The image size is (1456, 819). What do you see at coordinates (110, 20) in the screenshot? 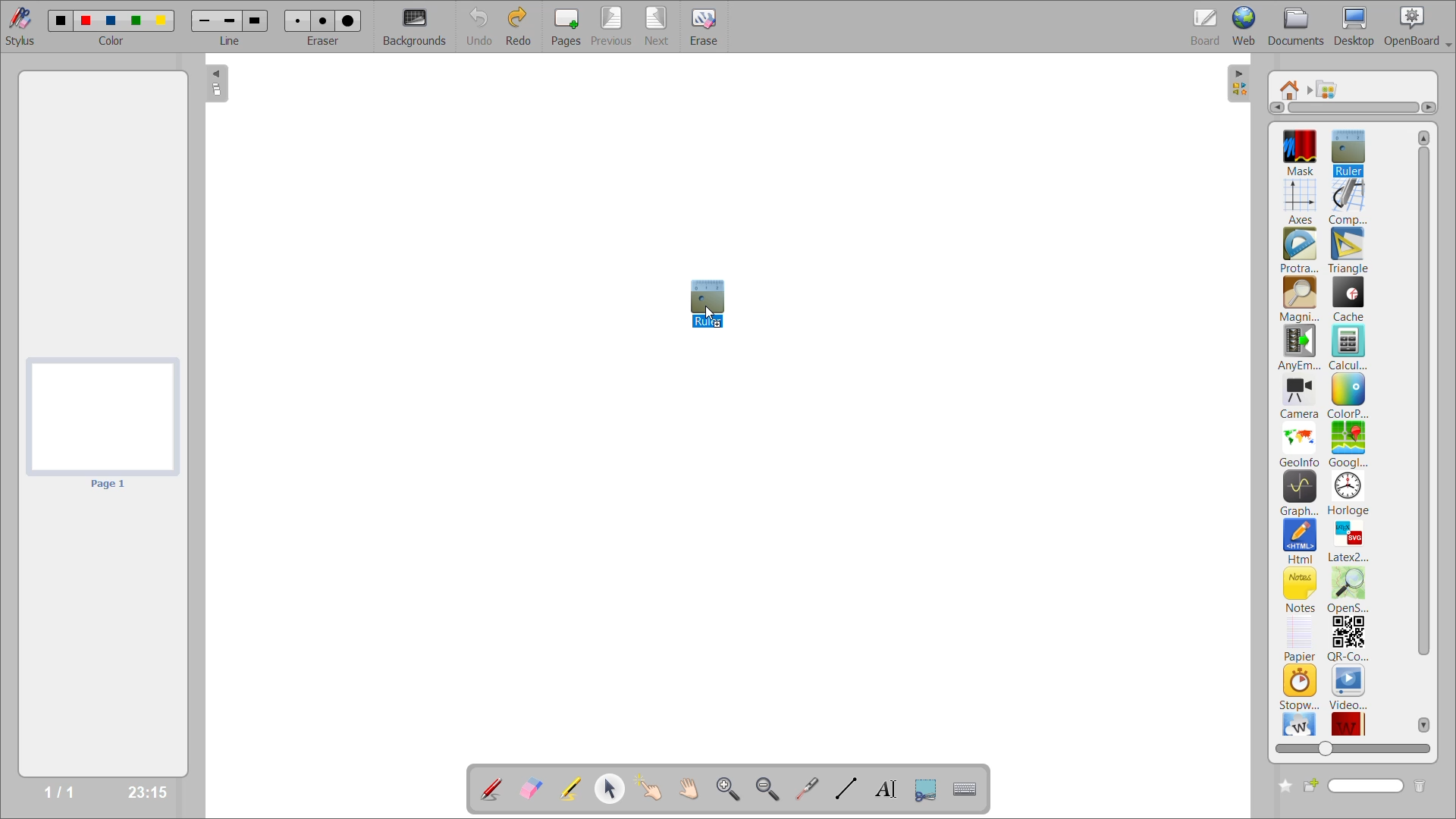
I see `color 3` at bounding box center [110, 20].